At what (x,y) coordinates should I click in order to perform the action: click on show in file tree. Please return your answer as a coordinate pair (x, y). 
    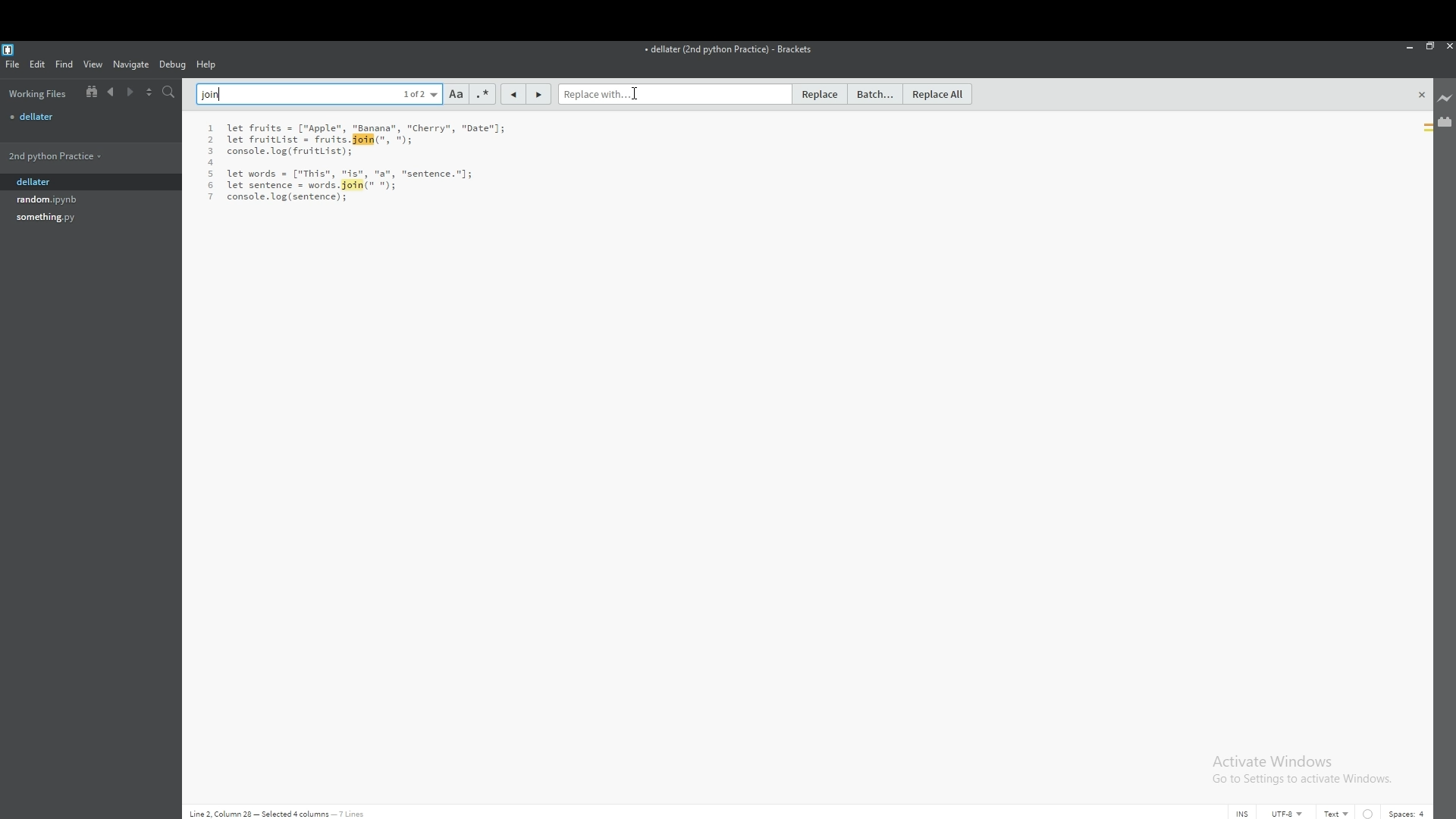
    Looking at the image, I should click on (89, 93).